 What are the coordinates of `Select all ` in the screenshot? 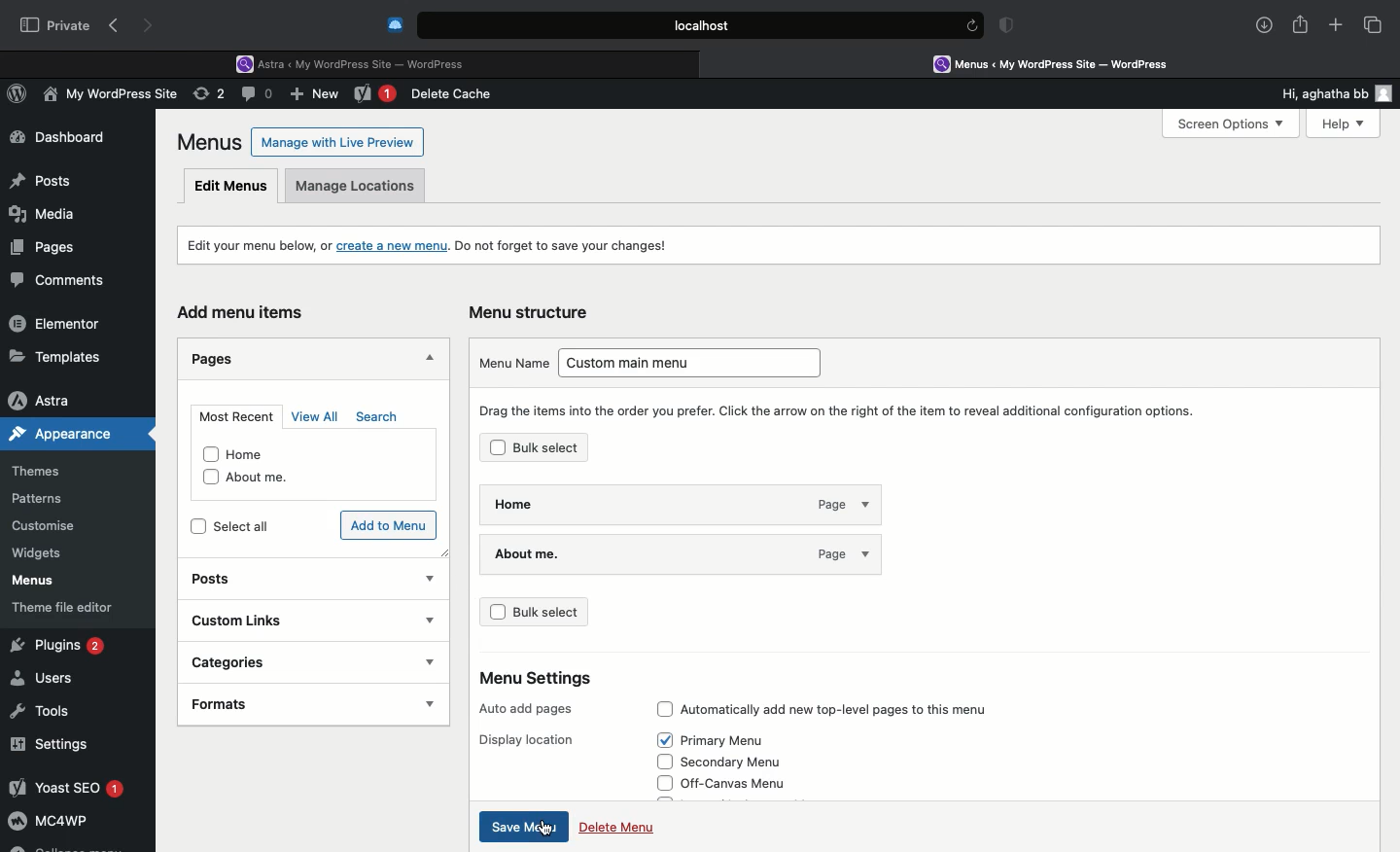 It's located at (254, 528).